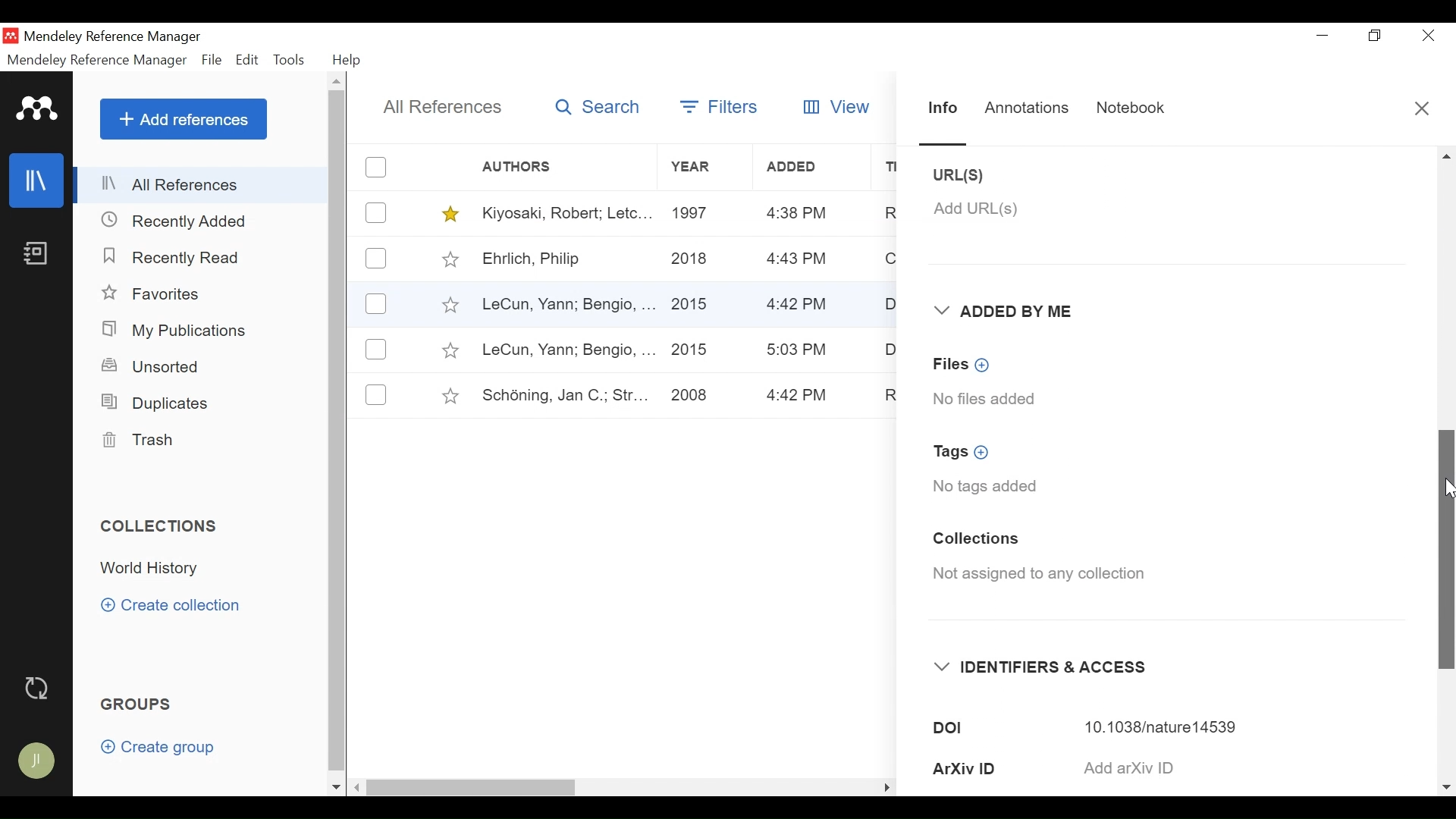  I want to click on Scroll up, so click(338, 83).